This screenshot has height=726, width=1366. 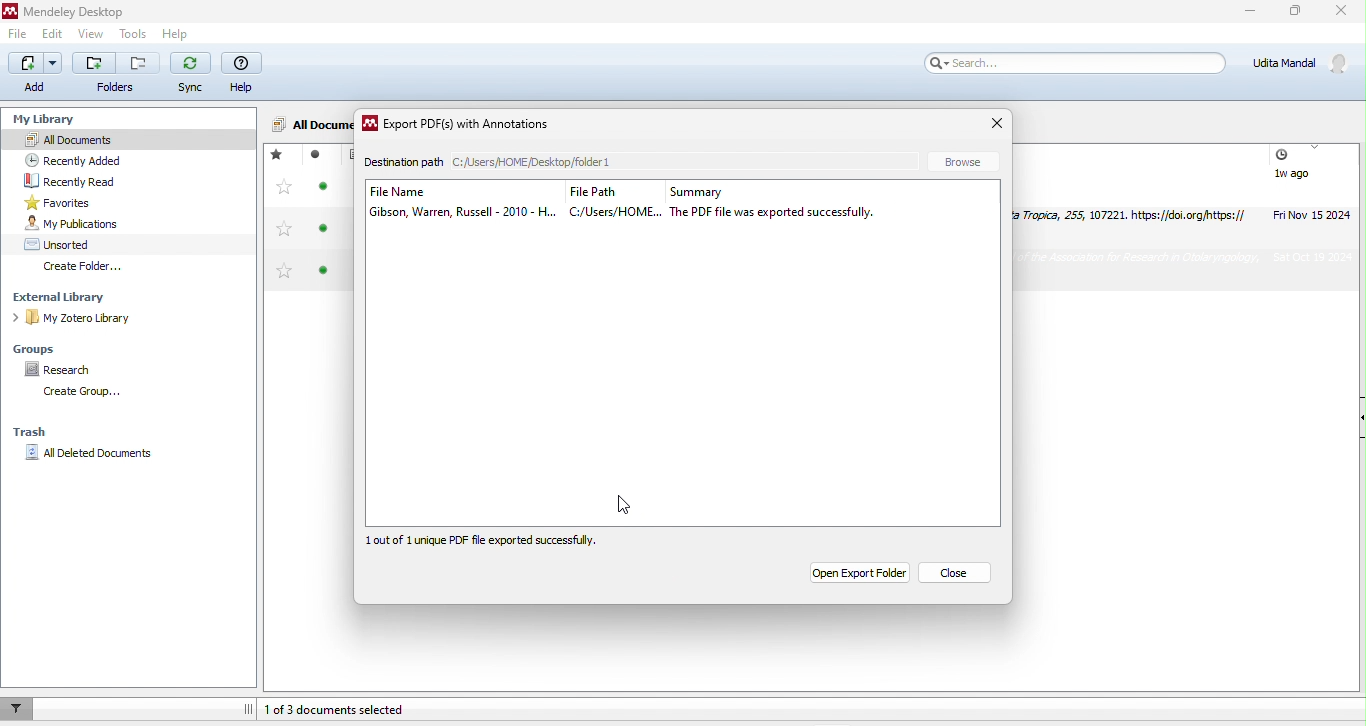 I want to click on external library, so click(x=65, y=297).